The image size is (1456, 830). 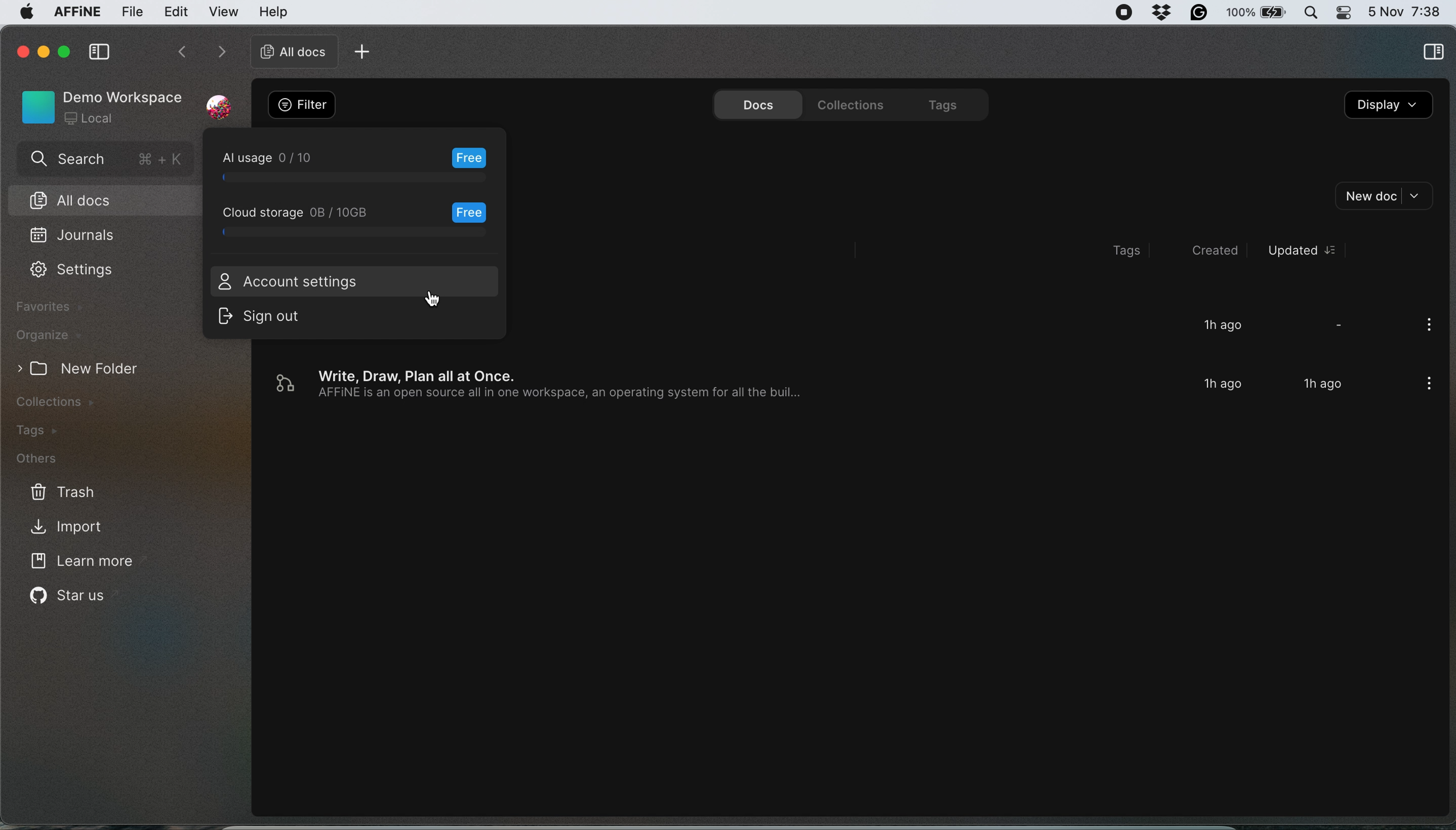 What do you see at coordinates (1343, 13) in the screenshot?
I see `control center` at bounding box center [1343, 13].